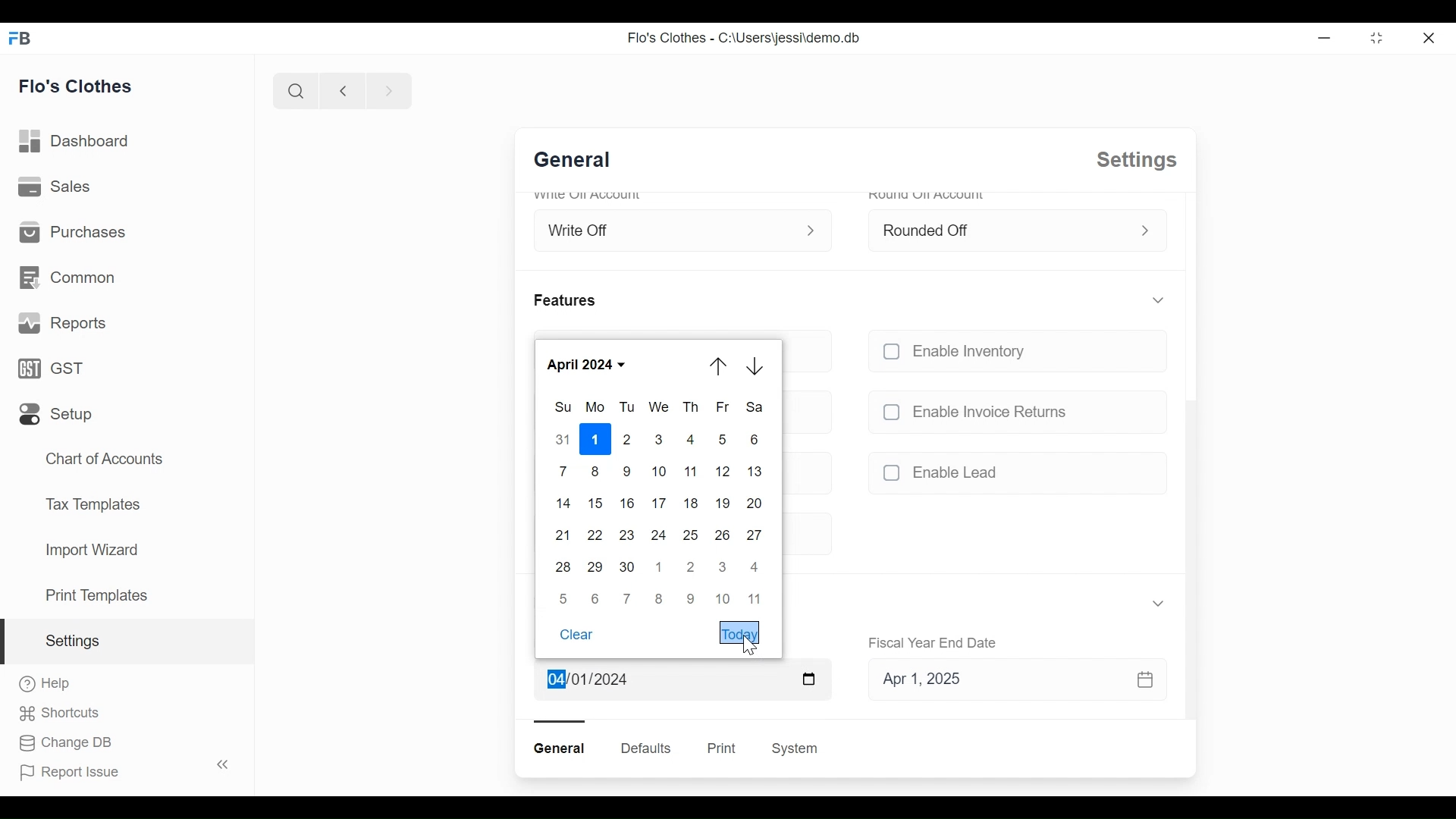  Describe the element at coordinates (1431, 36) in the screenshot. I see `Close` at that location.